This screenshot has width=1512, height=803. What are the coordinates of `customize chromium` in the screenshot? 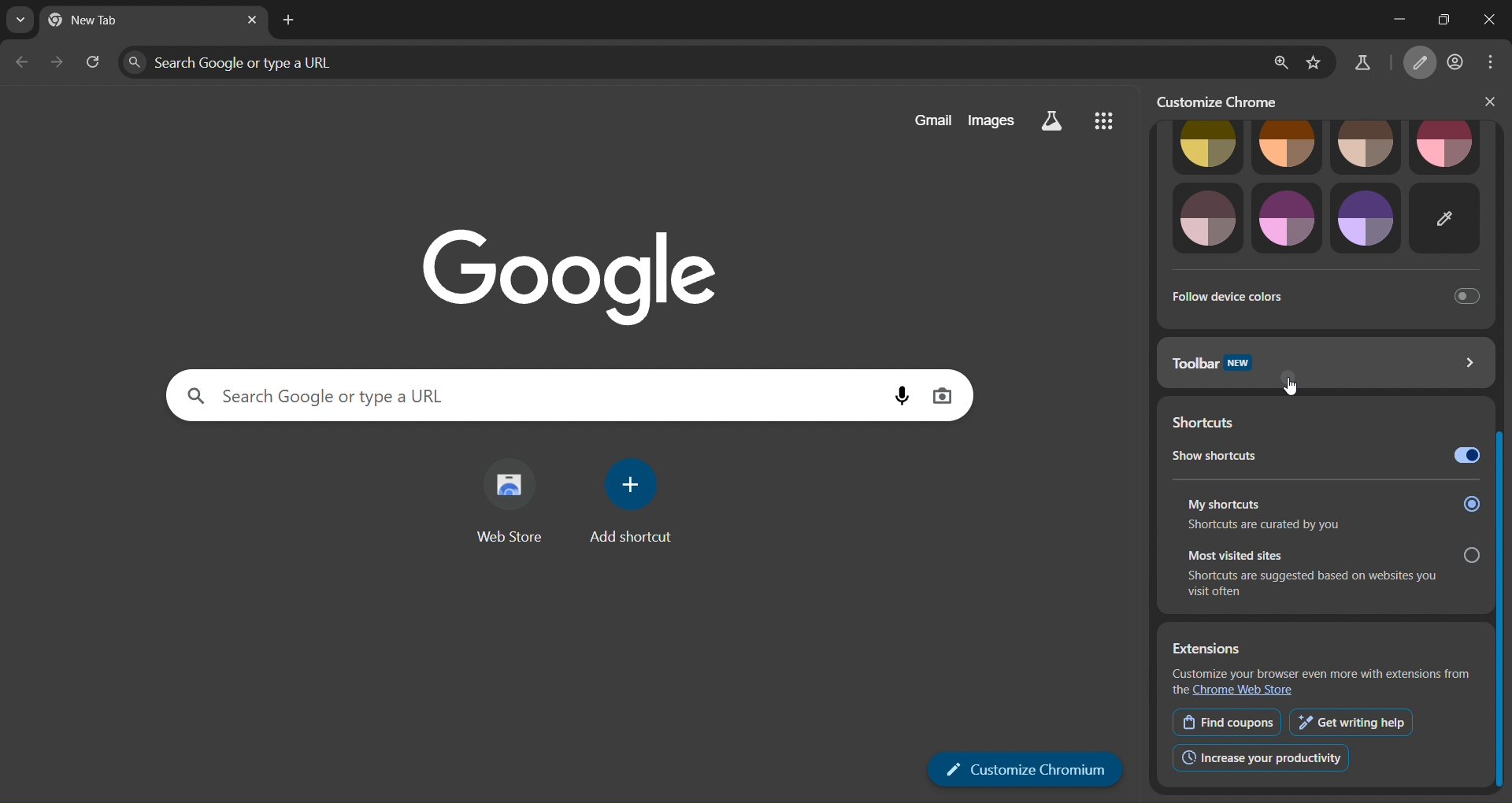 It's located at (1225, 101).